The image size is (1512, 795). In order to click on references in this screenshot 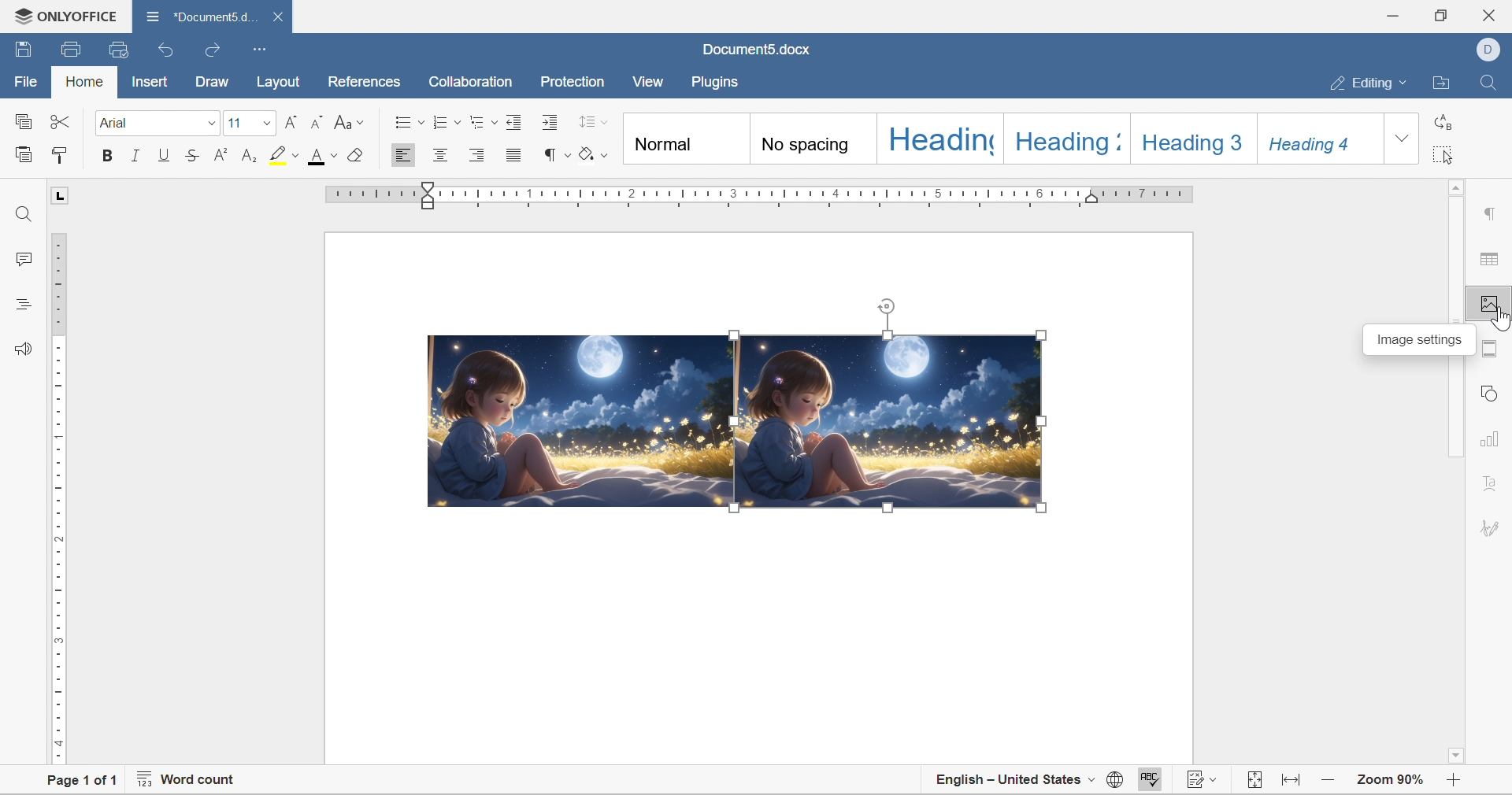, I will do `click(362, 83)`.